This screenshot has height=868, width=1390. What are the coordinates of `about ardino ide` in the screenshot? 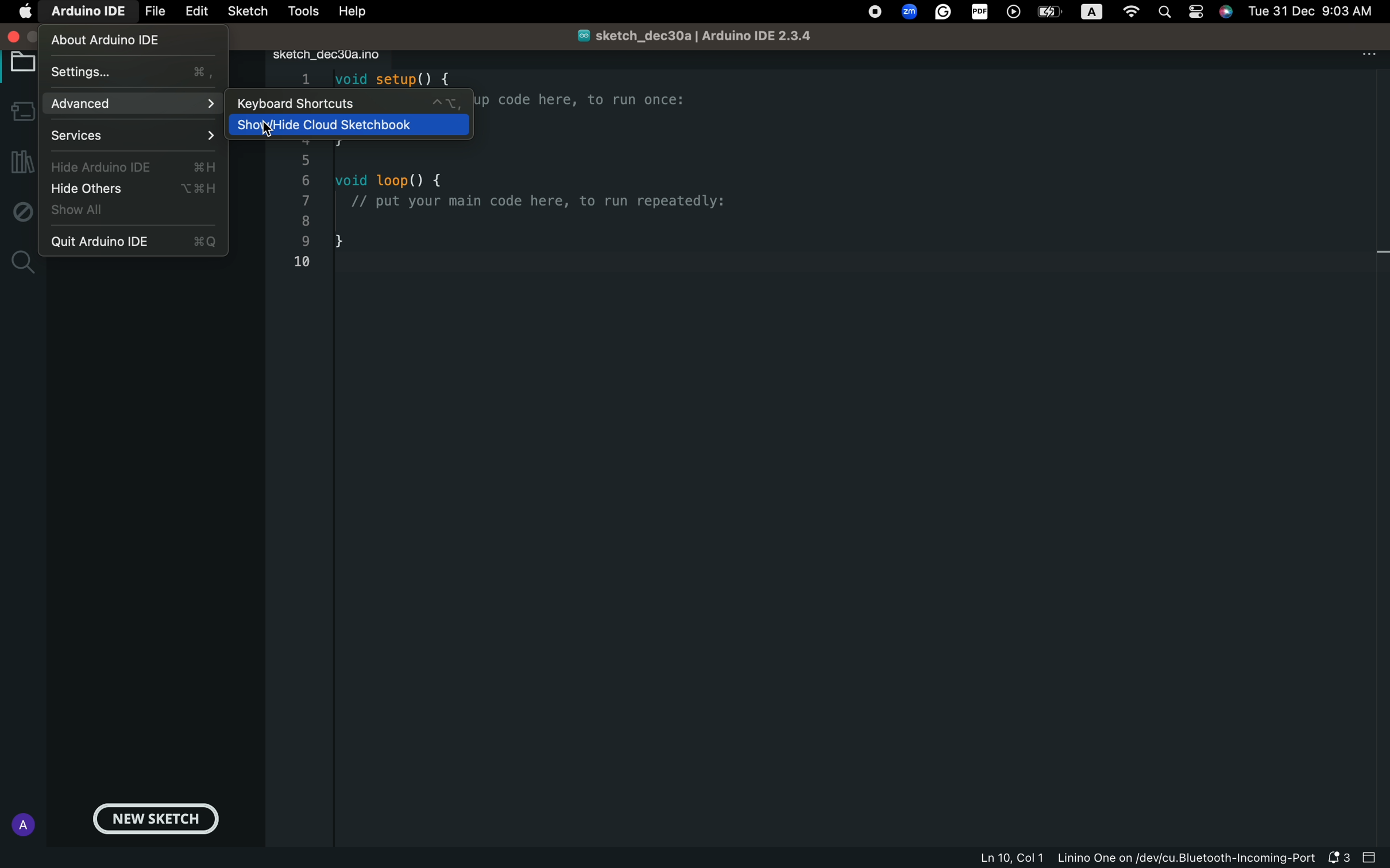 It's located at (120, 40).